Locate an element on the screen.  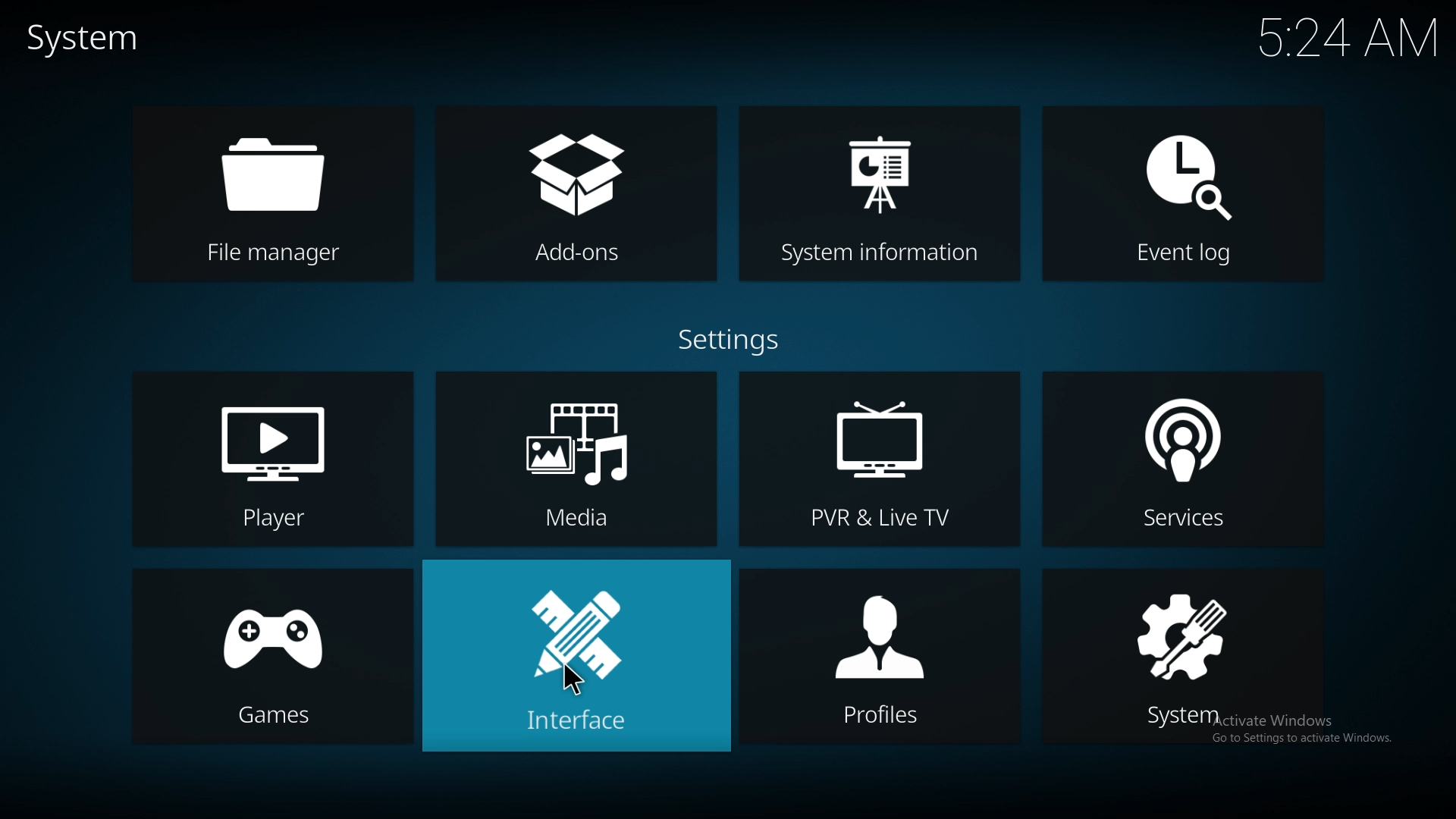
settings is located at coordinates (734, 337).